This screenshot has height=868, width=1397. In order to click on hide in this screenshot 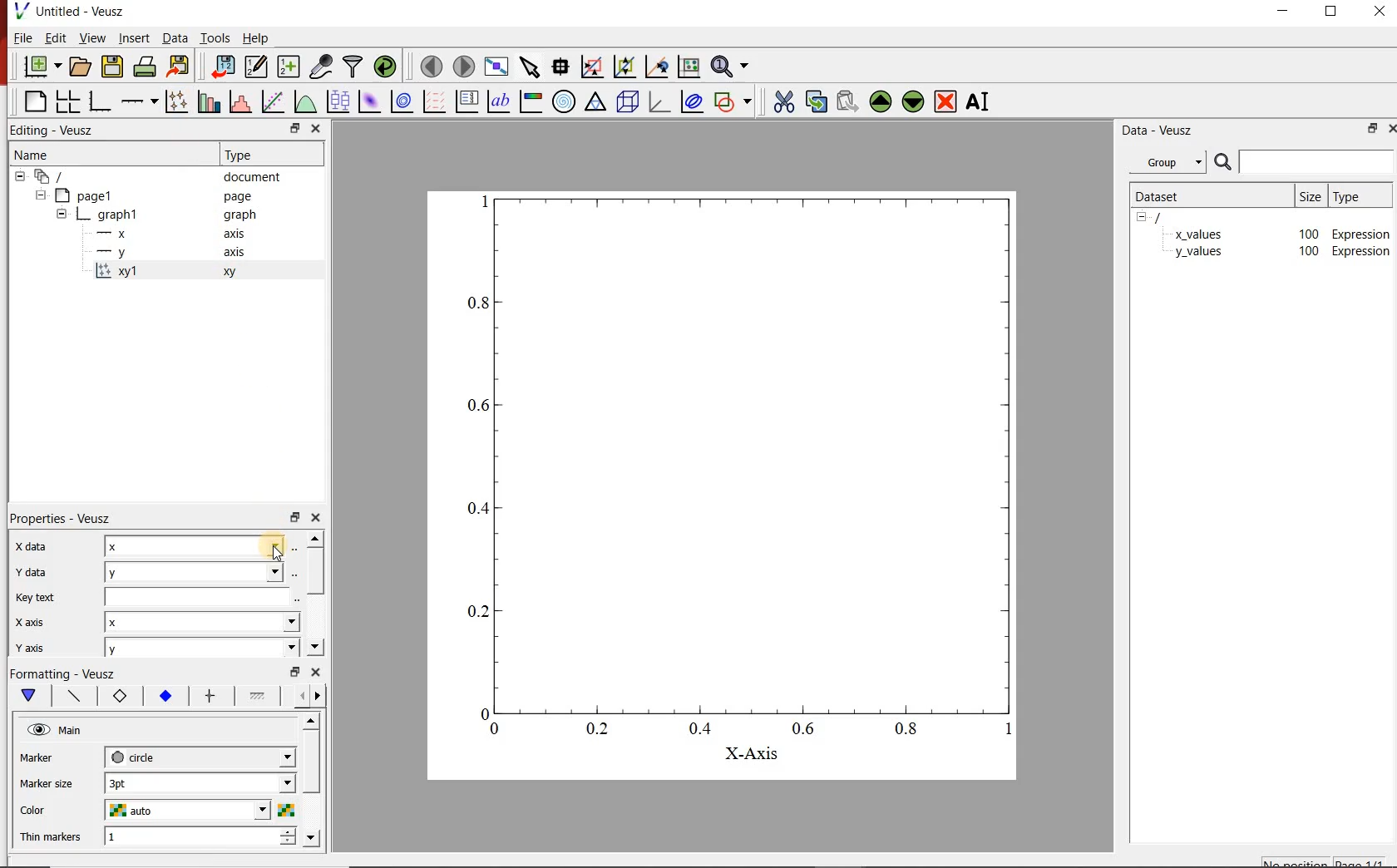, I will do `click(20, 176)`.